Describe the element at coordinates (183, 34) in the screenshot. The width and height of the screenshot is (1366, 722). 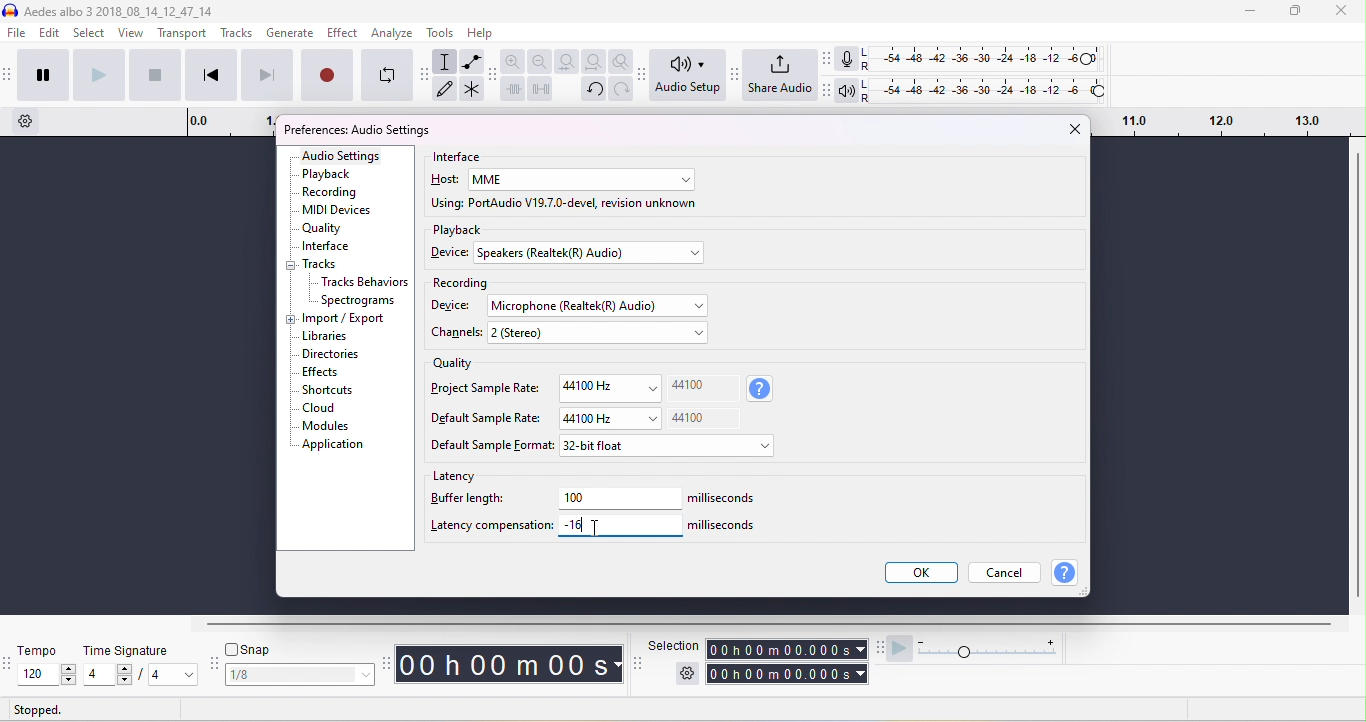
I see `transport` at that location.